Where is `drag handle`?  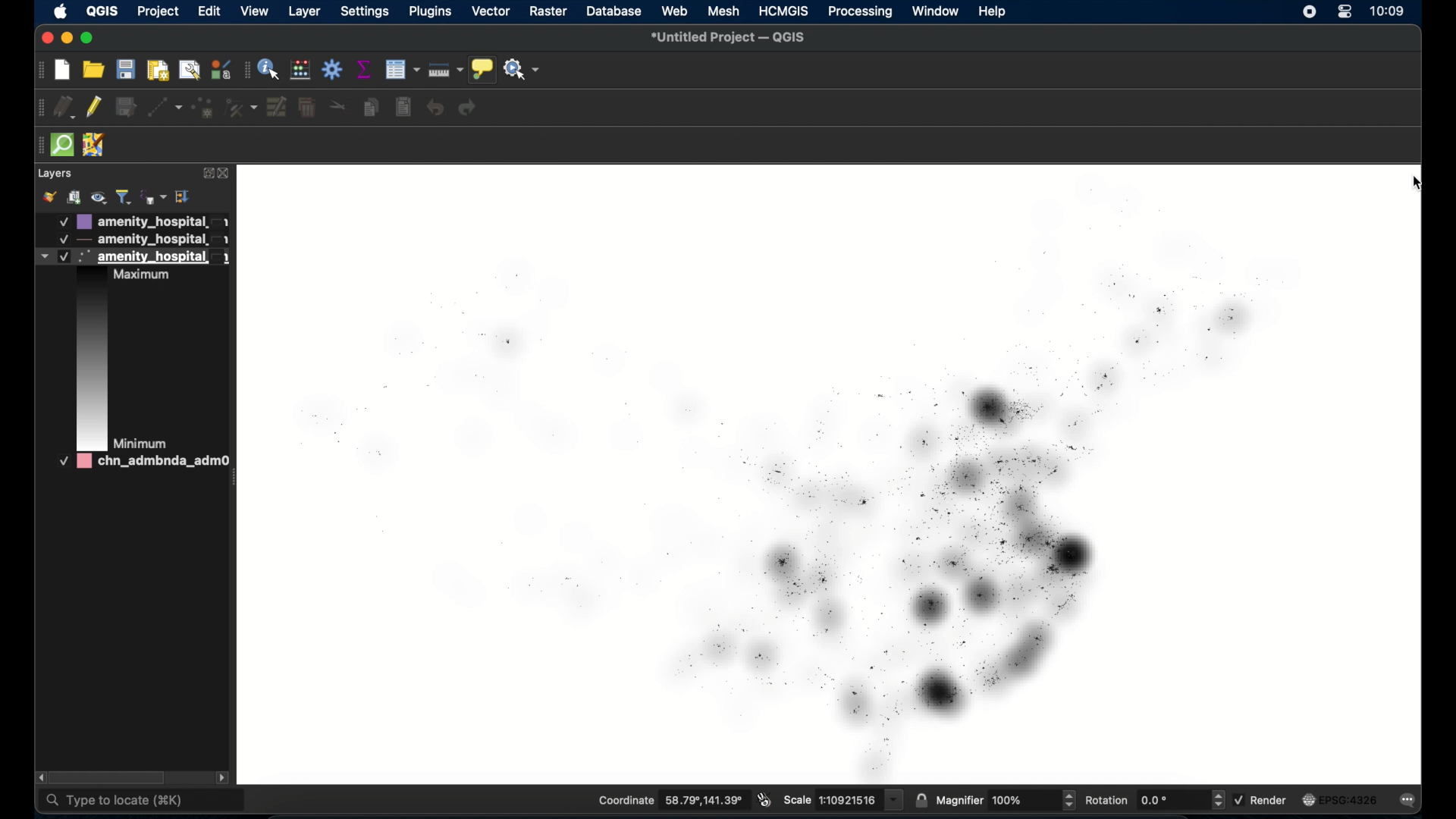 drag handle is located at coordinates (37, 146).